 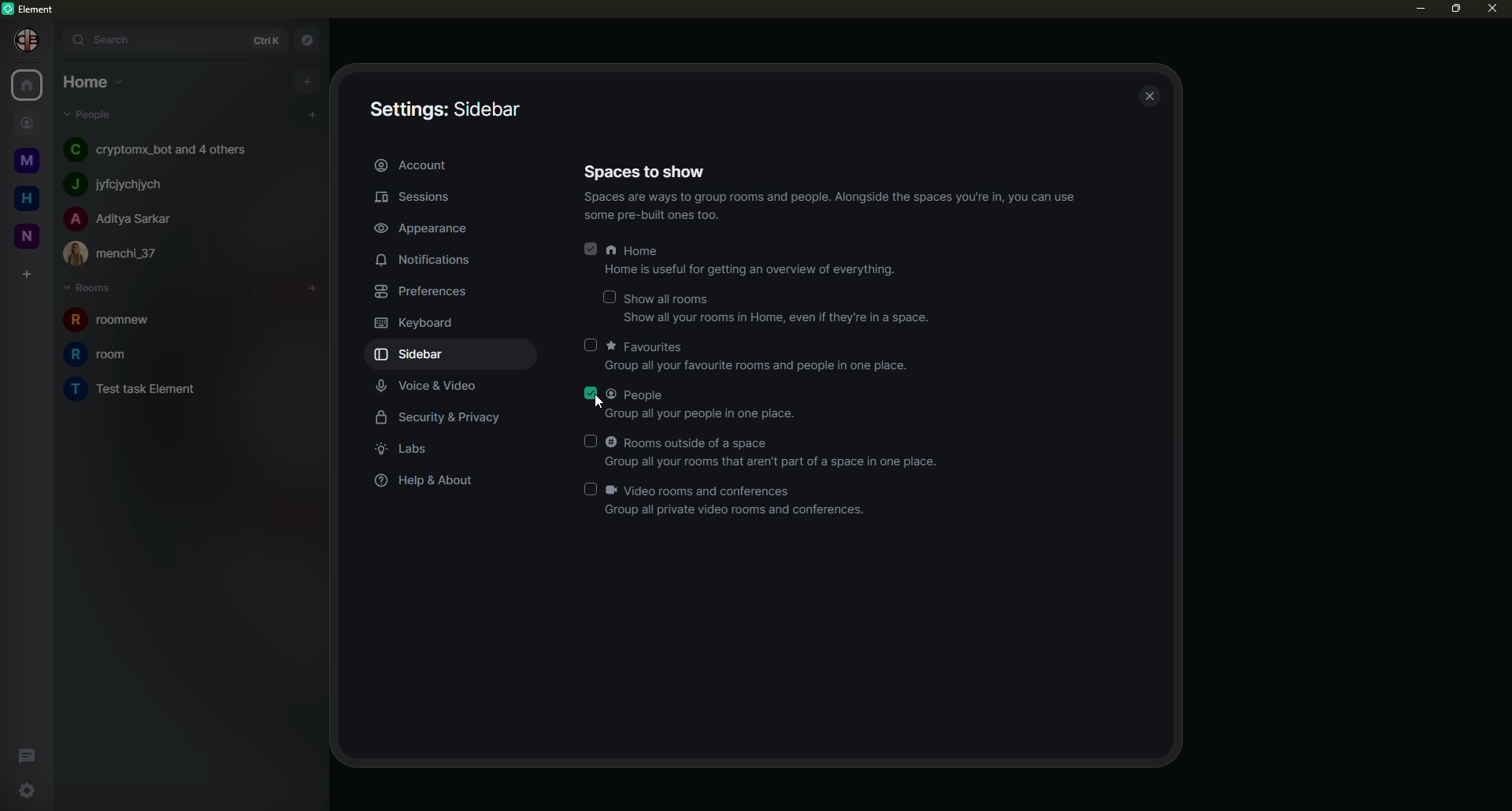 I want to click on people, so click(x=125, y=252).